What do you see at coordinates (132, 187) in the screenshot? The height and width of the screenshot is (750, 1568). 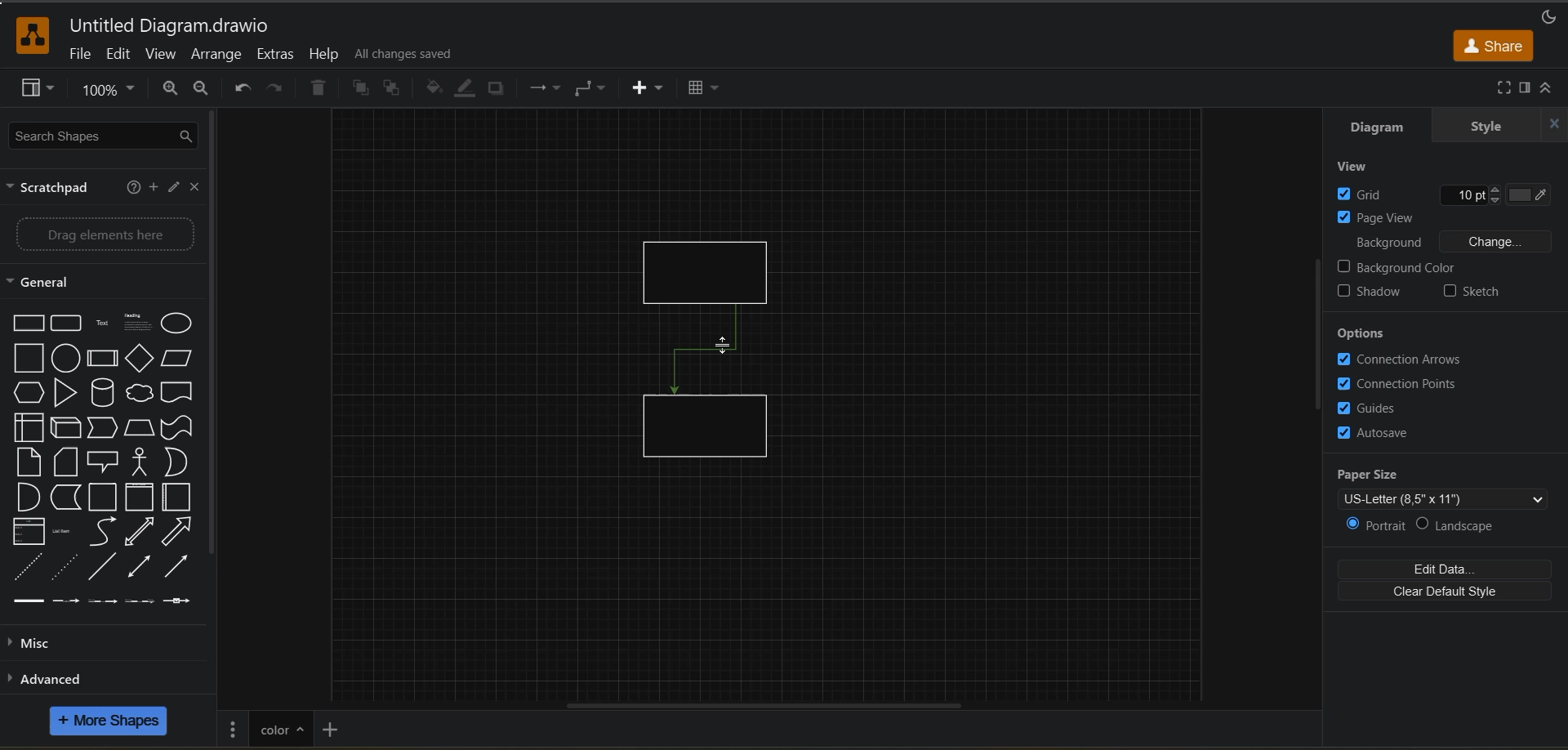 I see `help` at bounding box center [132, 187].